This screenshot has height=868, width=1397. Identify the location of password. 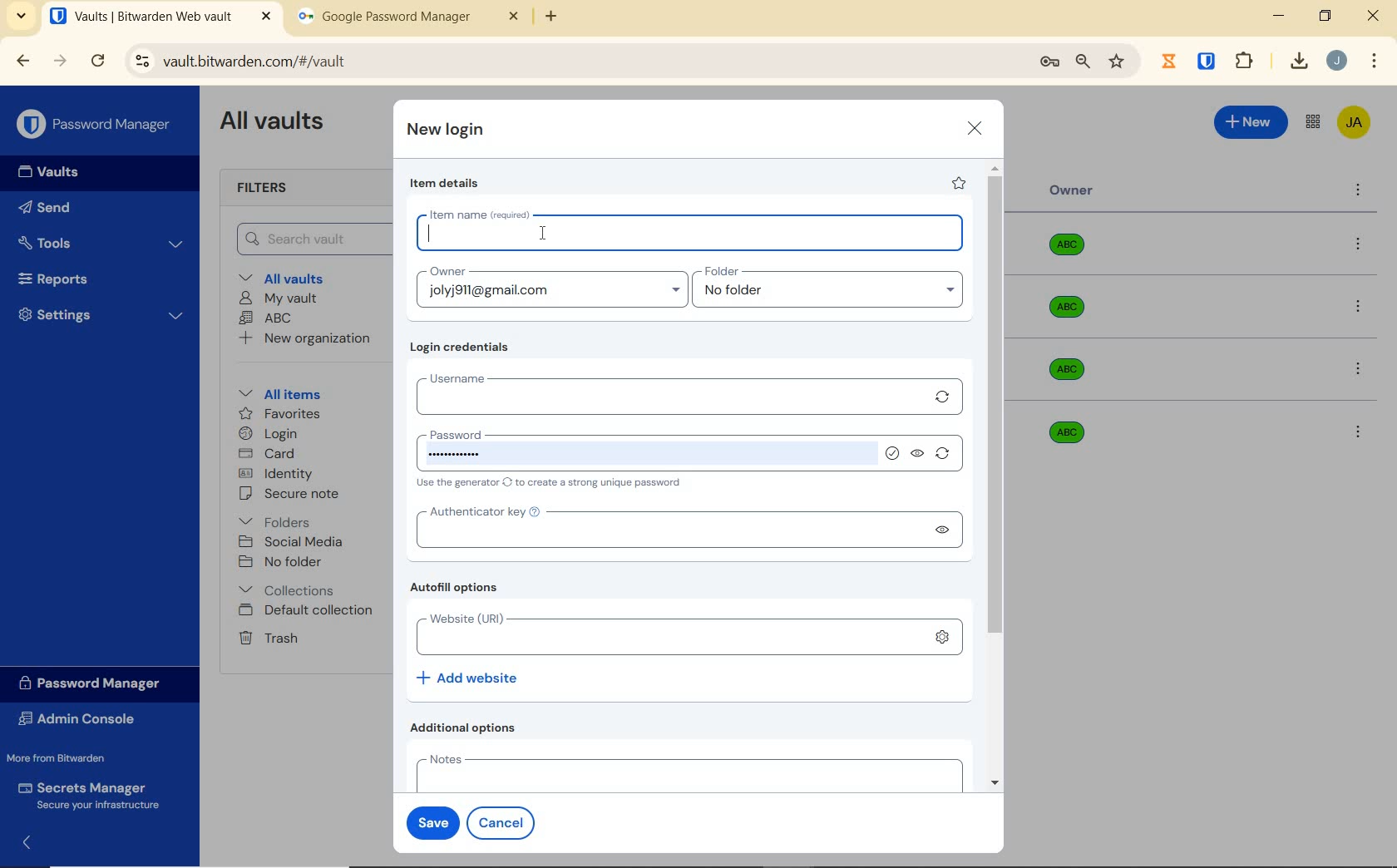
(643, 450).